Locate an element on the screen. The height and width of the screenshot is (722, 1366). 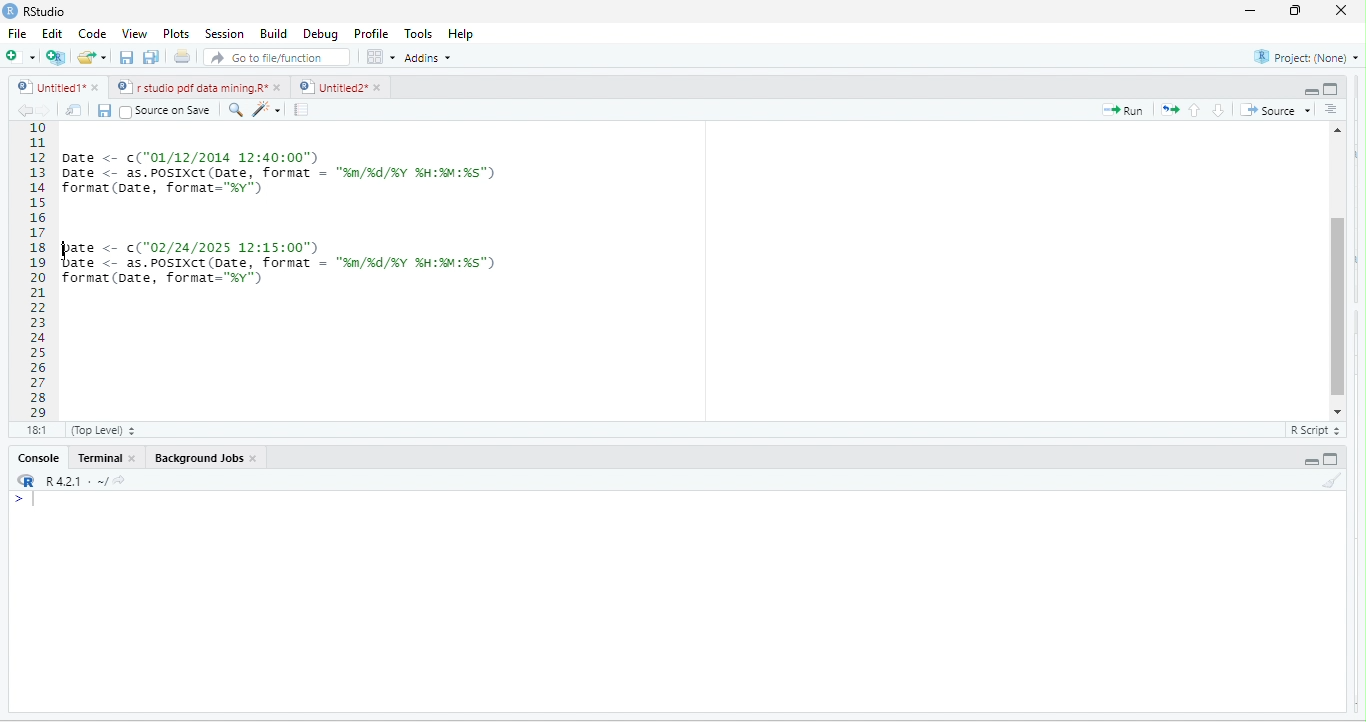
typing cursor is located at coordinates (35, 507).